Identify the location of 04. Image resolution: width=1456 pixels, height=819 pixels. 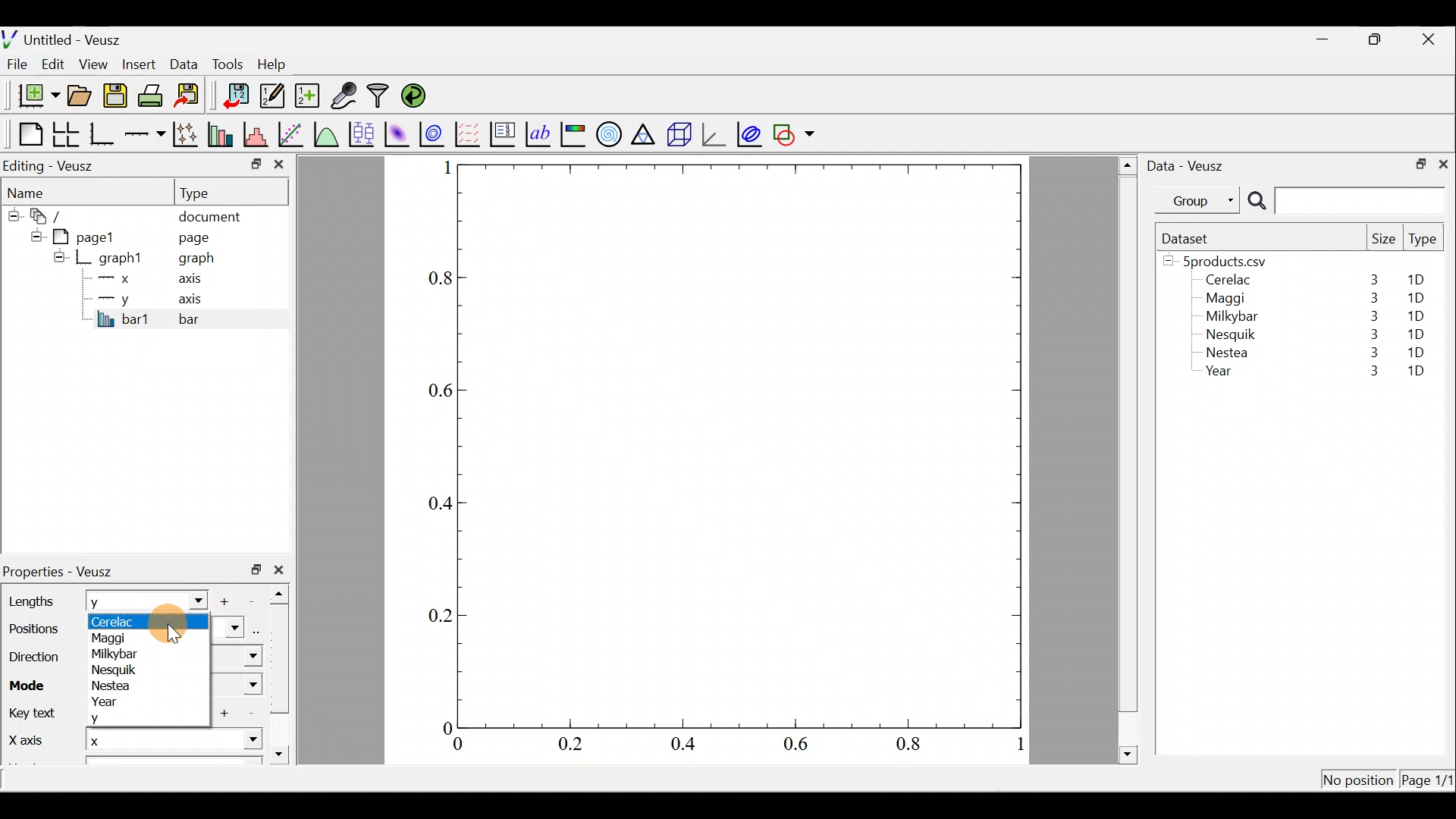
(434, 506).